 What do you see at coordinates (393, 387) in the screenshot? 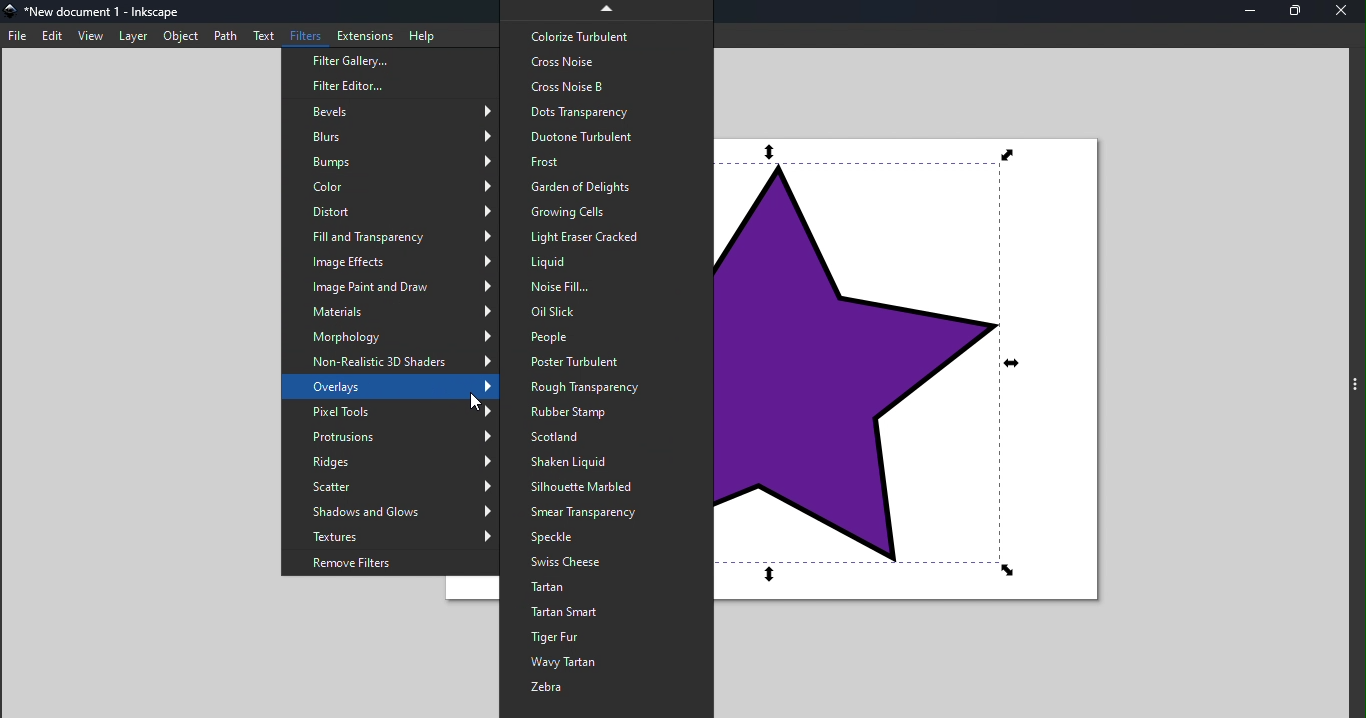
I see `Overlays` at bounding box center [393, 387].